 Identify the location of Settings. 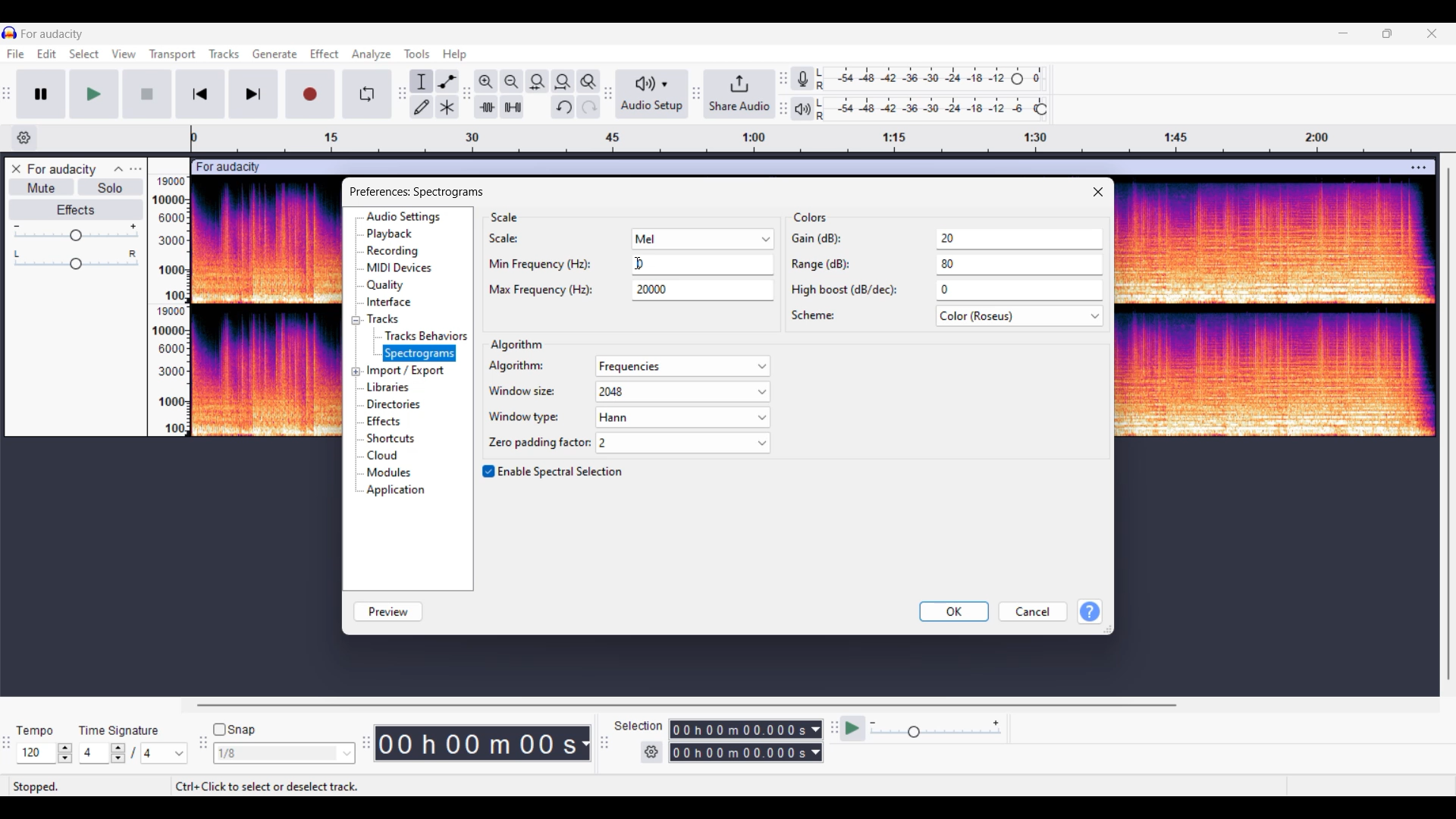
(651, 752).